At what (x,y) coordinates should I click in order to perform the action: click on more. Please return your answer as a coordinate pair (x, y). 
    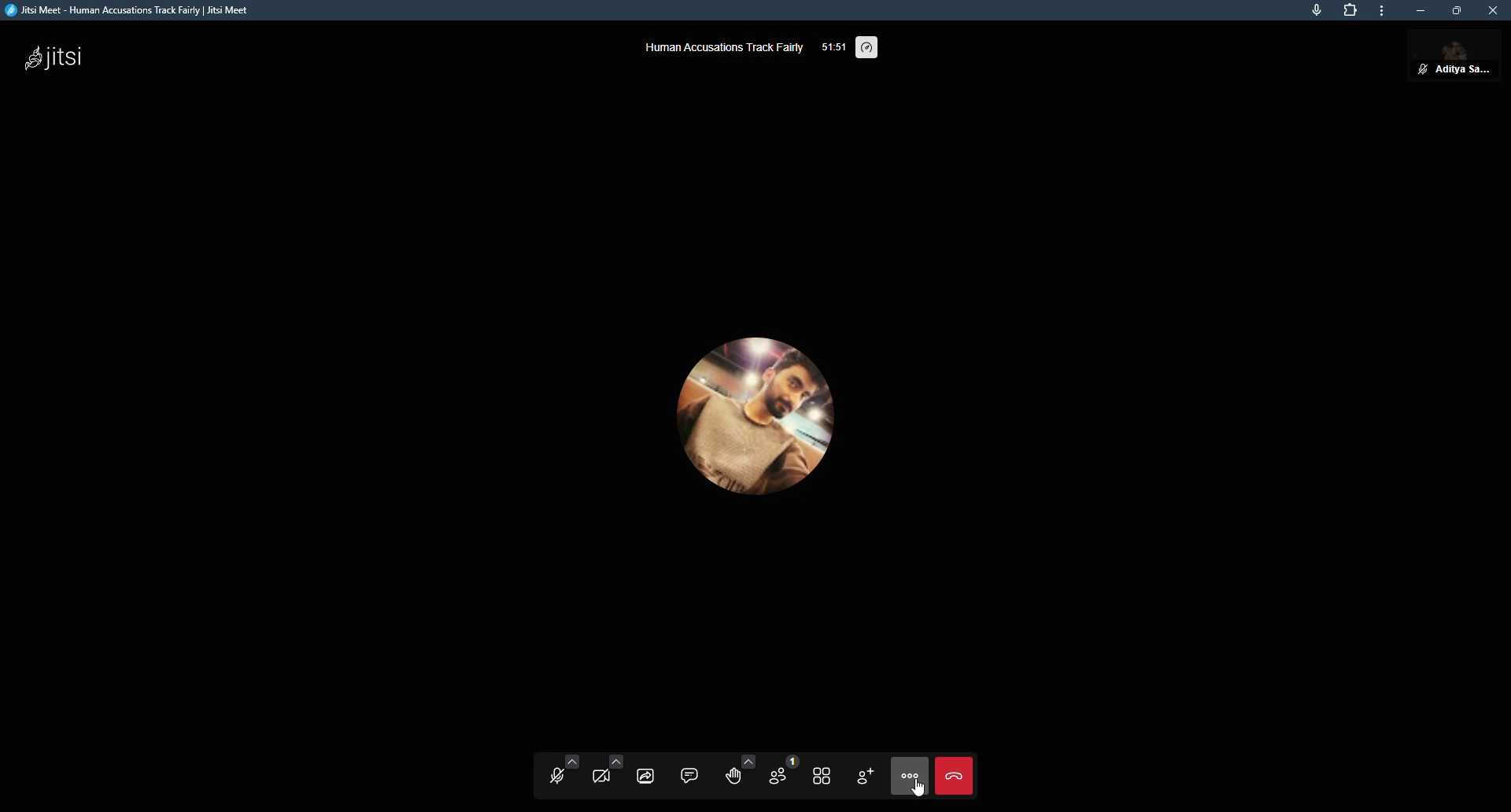
    Looking at the image, I should click on (1380, 9).